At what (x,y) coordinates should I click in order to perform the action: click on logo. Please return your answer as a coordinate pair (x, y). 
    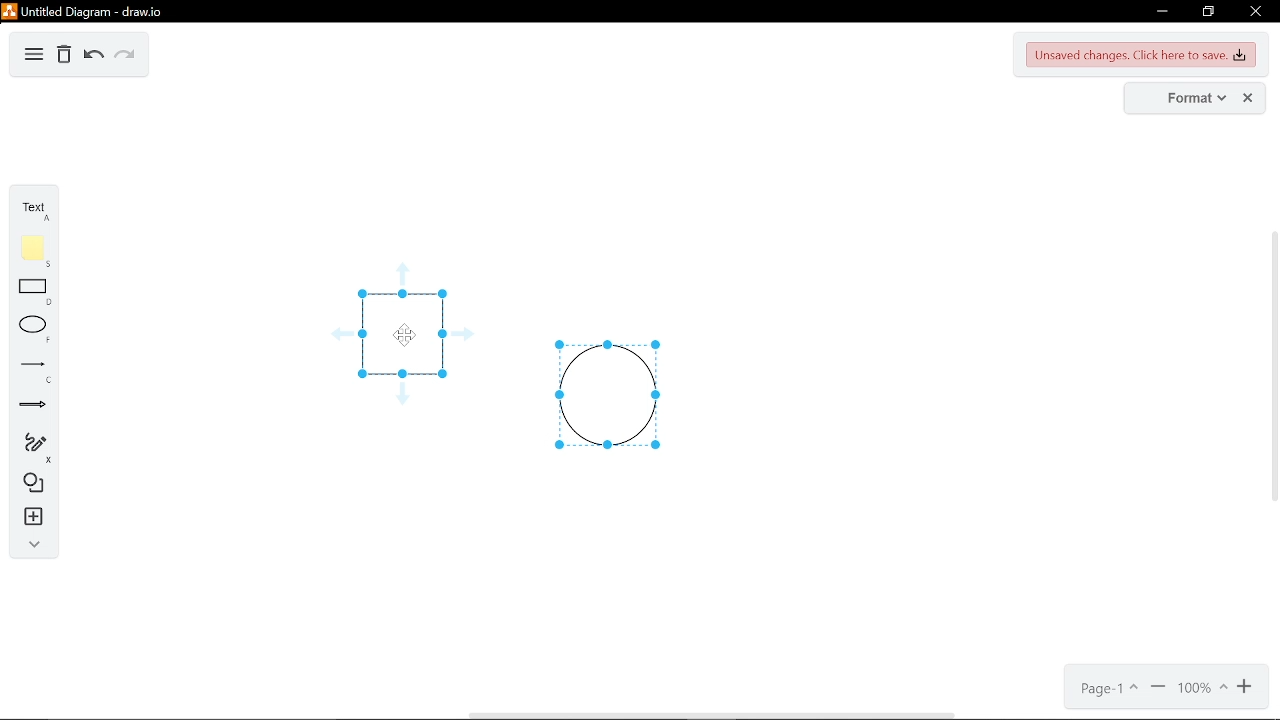
    Looking at the image, I should click on (9, 10).